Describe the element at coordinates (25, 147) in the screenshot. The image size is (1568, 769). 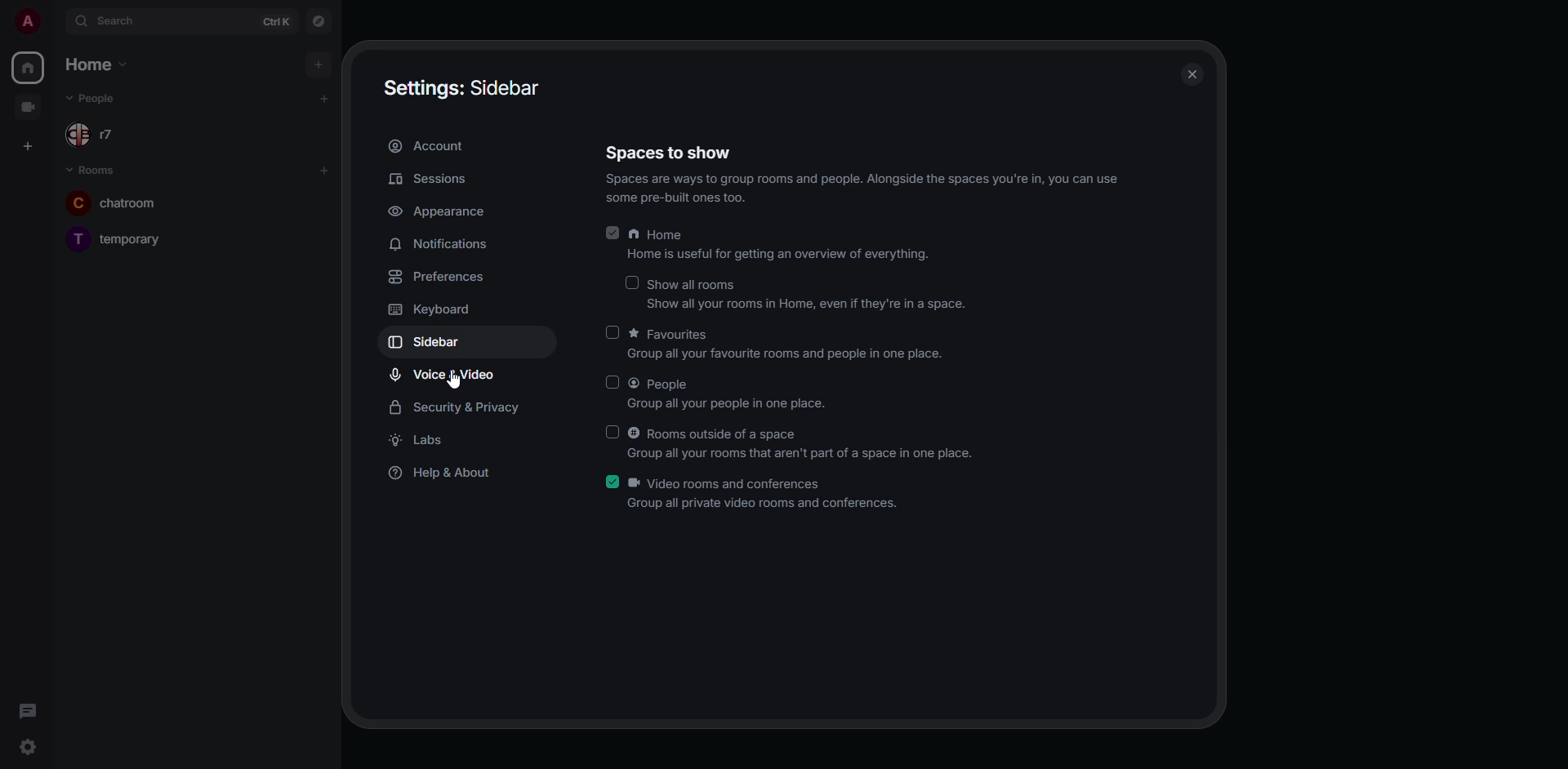
I see `create space` at that location.